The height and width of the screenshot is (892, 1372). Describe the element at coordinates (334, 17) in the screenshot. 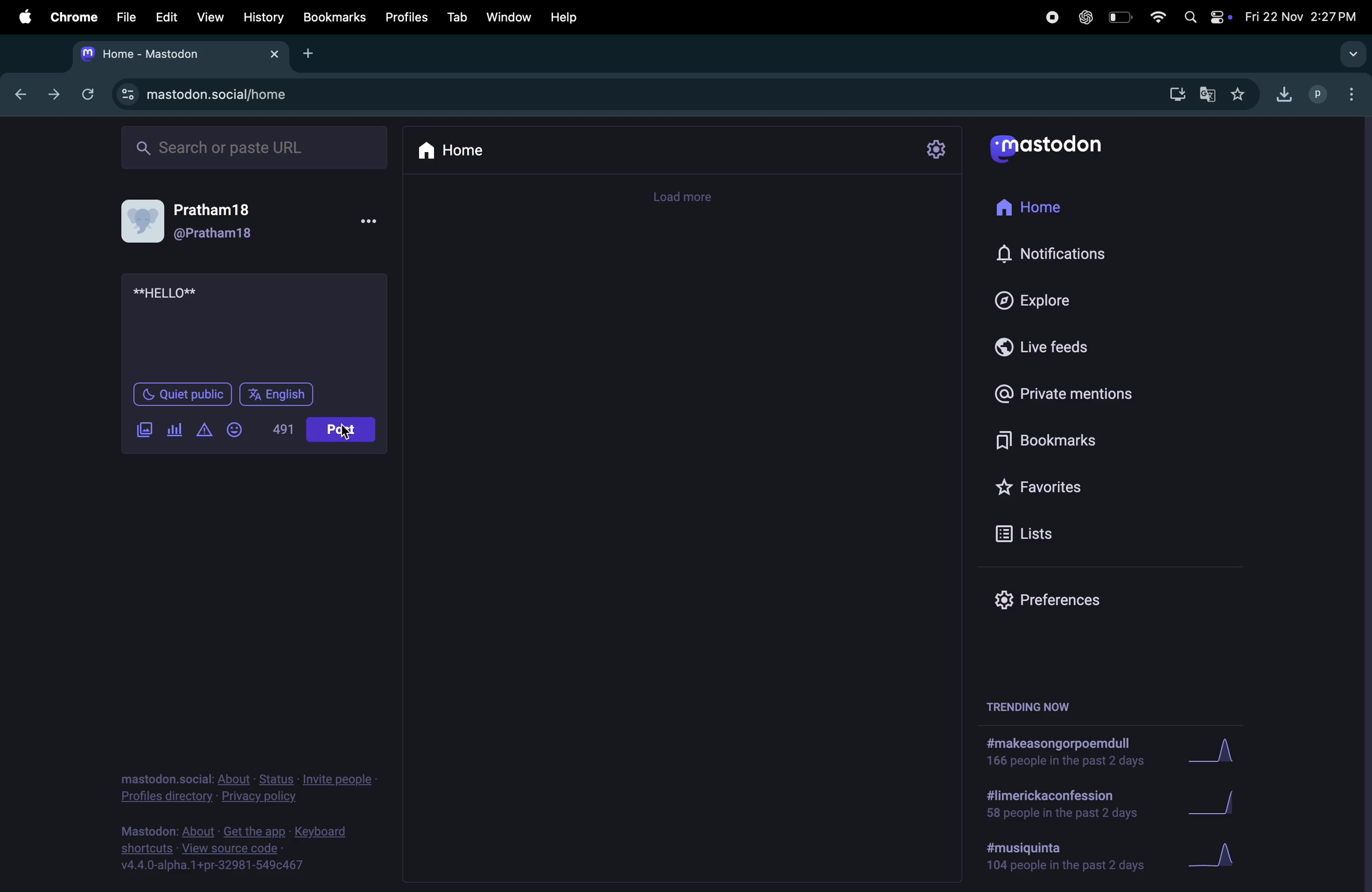

I see `bookmarks` at that location.